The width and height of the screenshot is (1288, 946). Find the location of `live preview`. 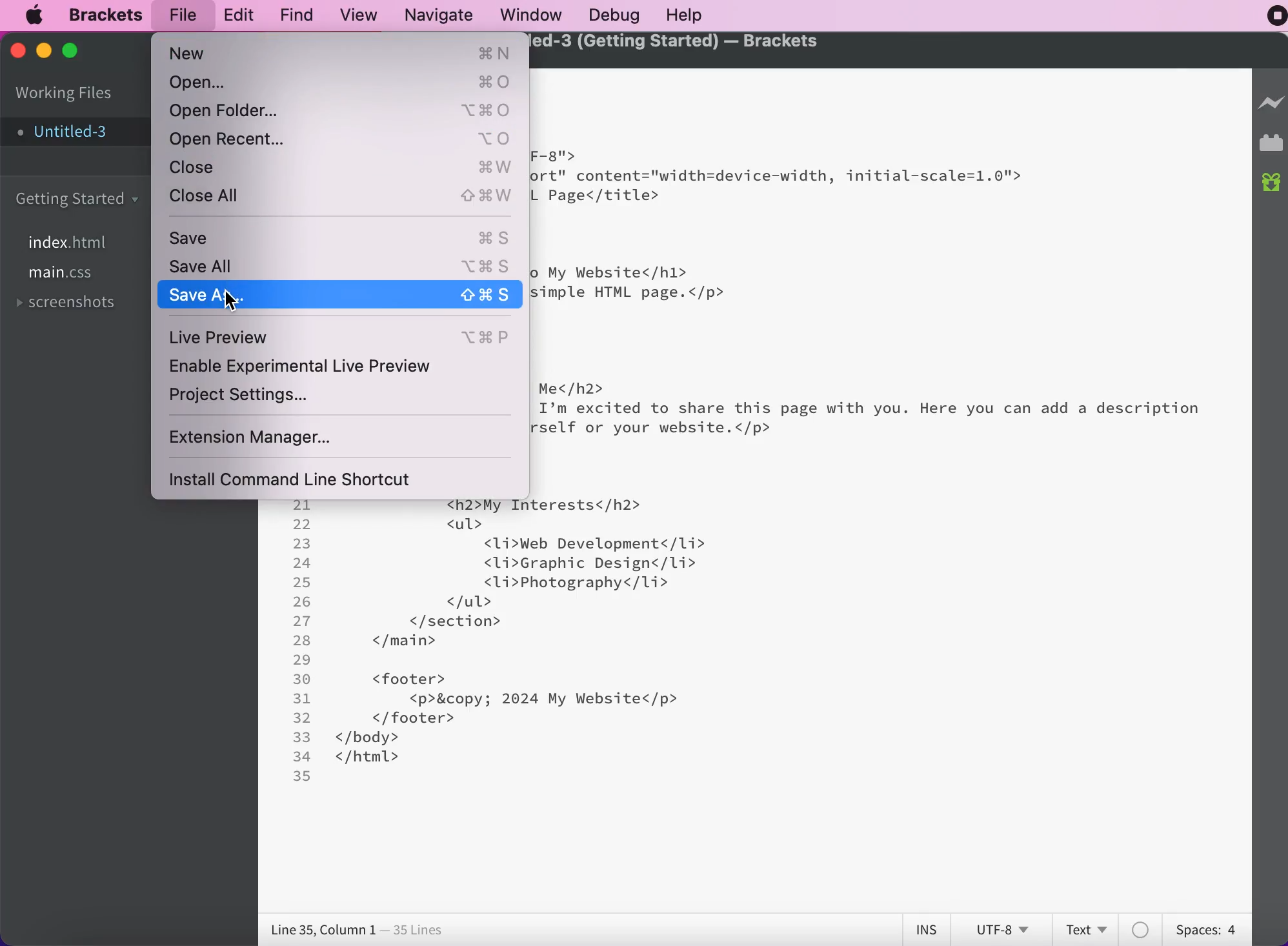

live preview is located at coordinates (344, 336).